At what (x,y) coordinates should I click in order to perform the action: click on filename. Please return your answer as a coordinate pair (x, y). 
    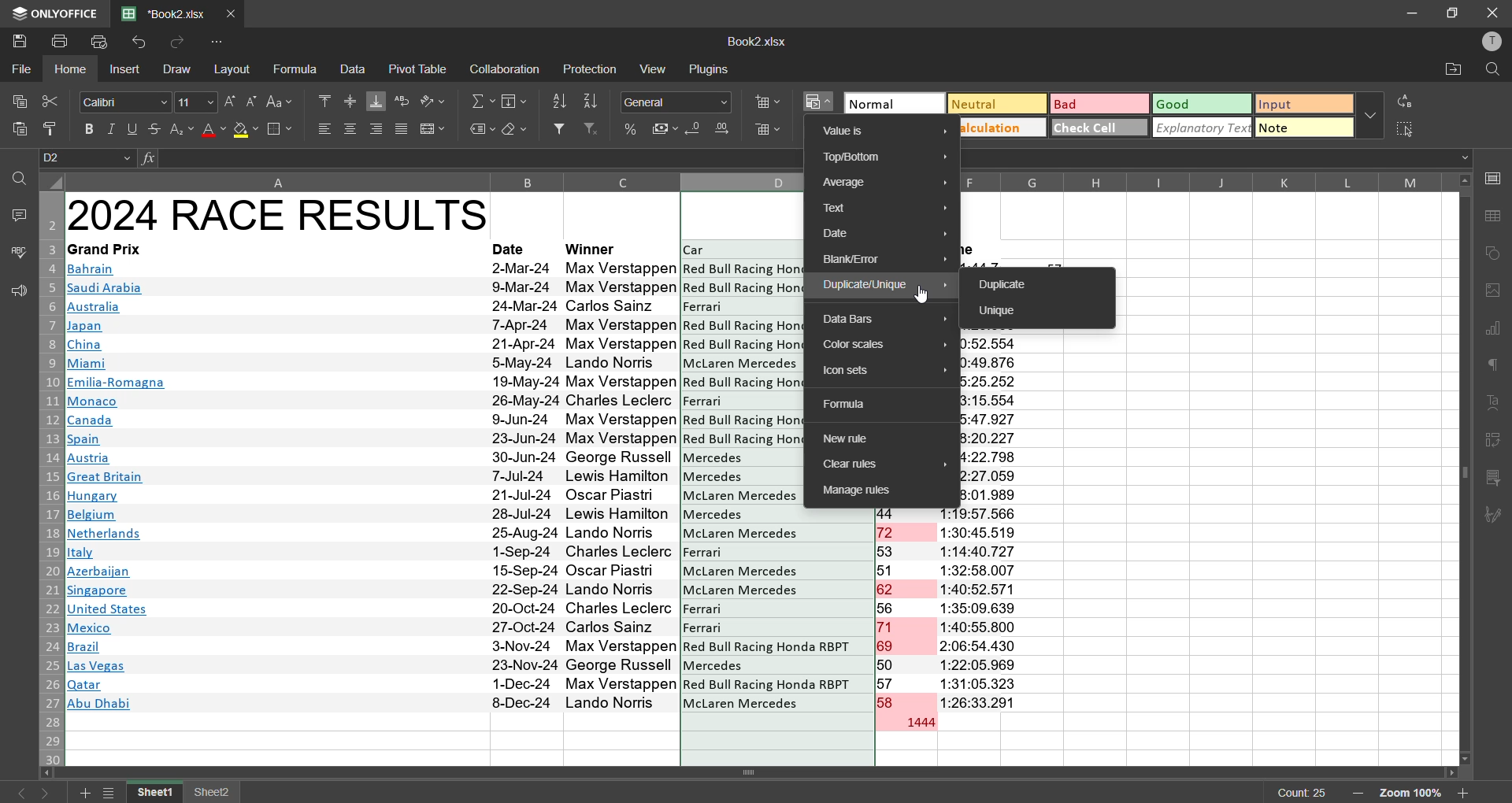
    Looking at the image, I should click on (756, 40).